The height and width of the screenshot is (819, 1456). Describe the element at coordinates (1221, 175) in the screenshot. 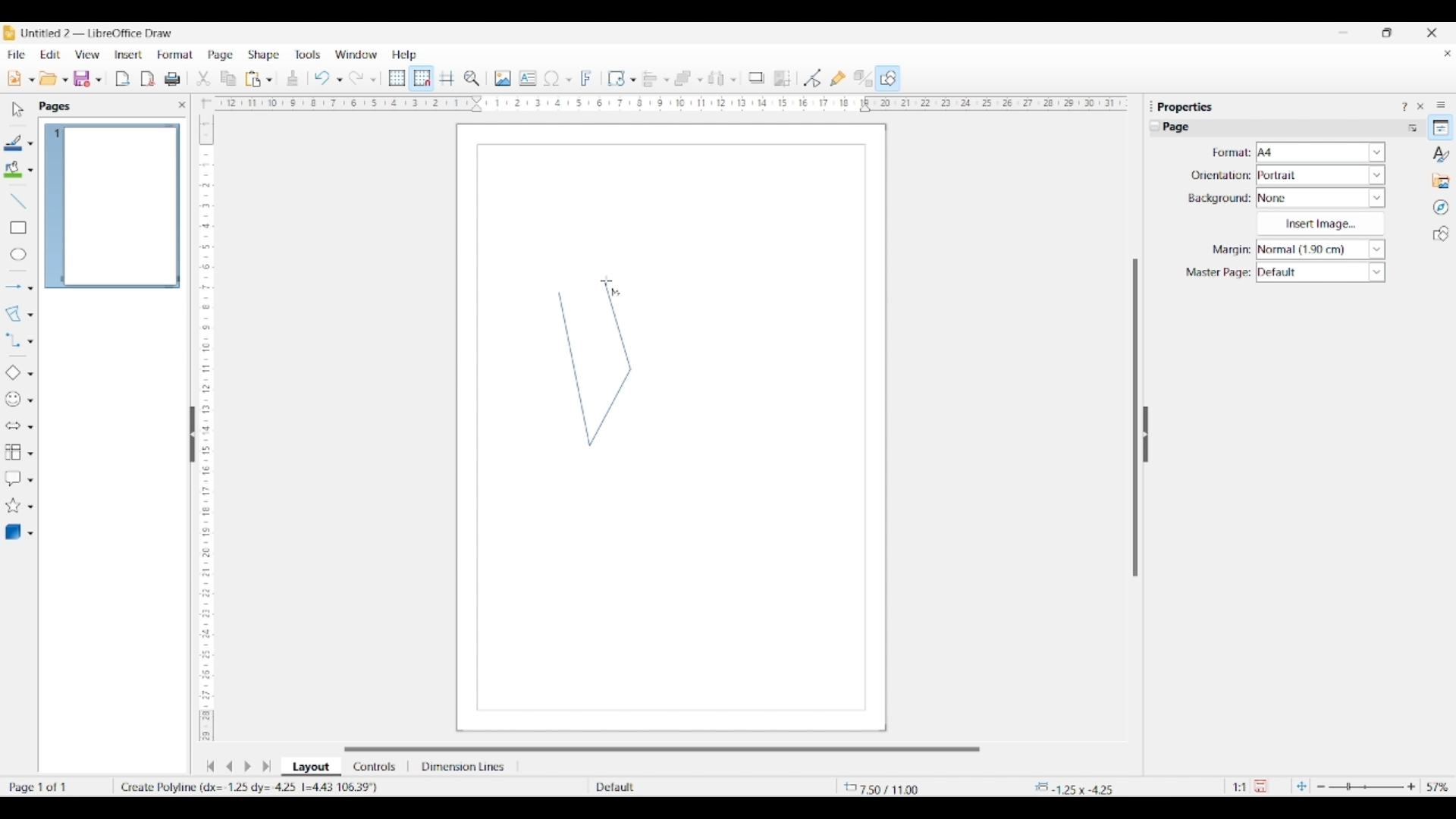

I see `Indicates orientation settings` at that location.